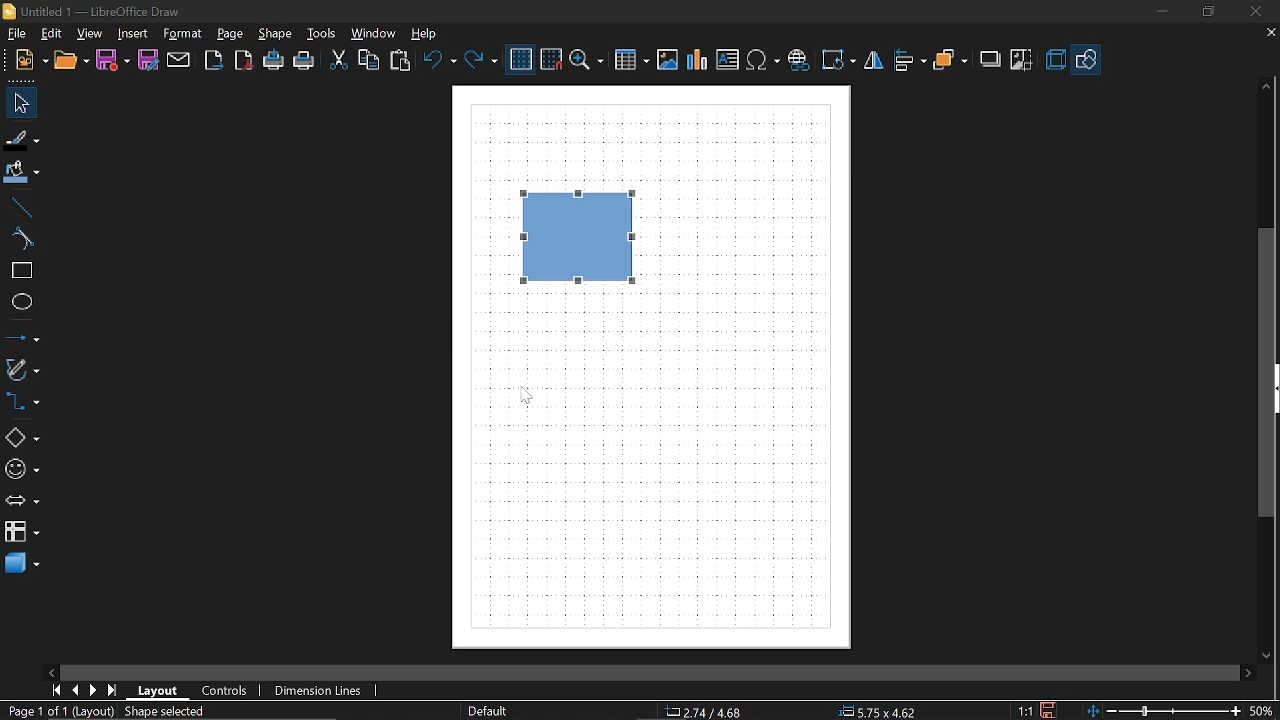 Image resolution: width=1280 pixels, height=720 pixels. Describe the element at coordinates (1161, 712) in the screenshot. I see `Change Zoom` at that location.